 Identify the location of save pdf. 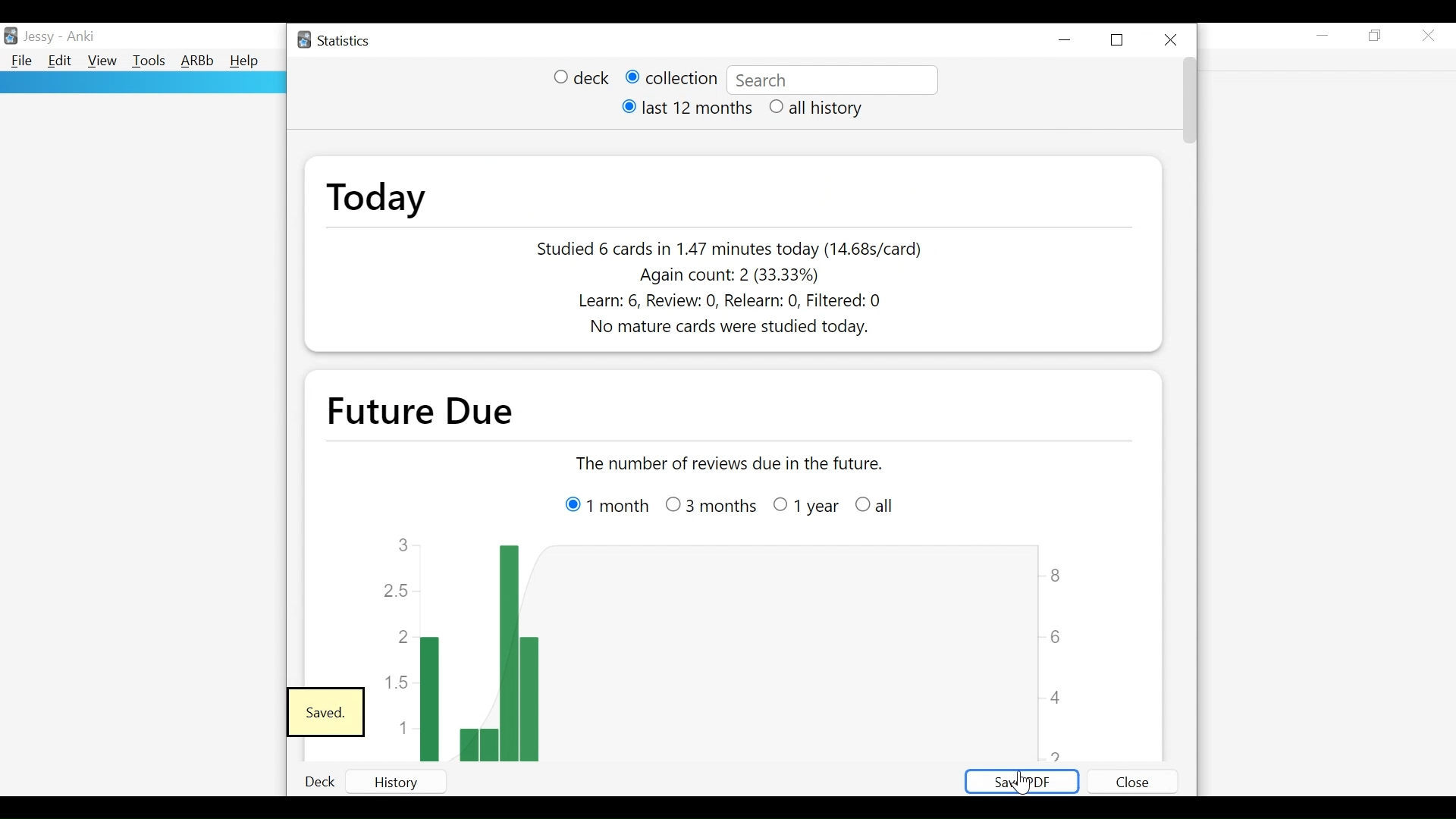
(1019, 782).